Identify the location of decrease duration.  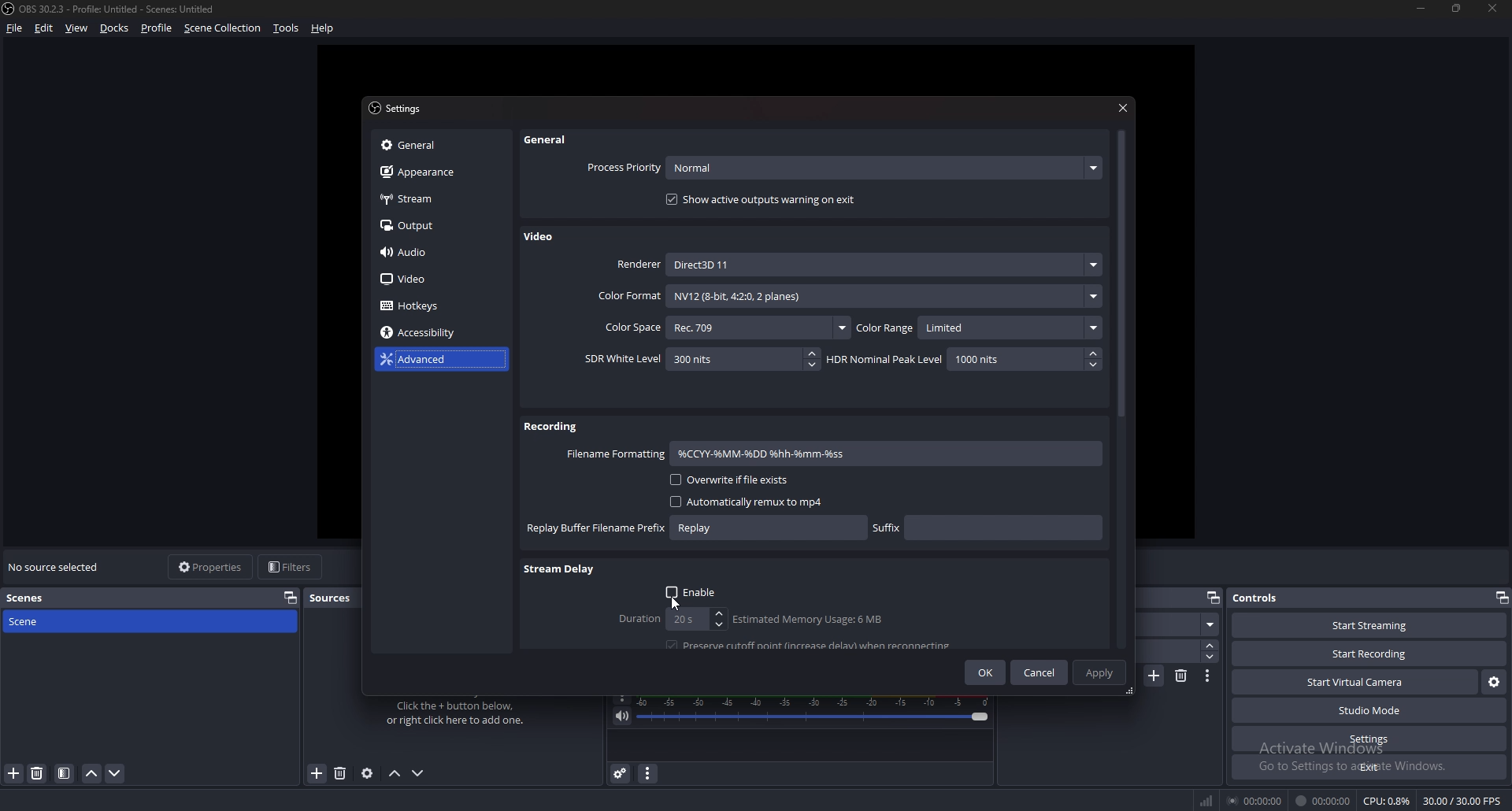
(1210, 657).